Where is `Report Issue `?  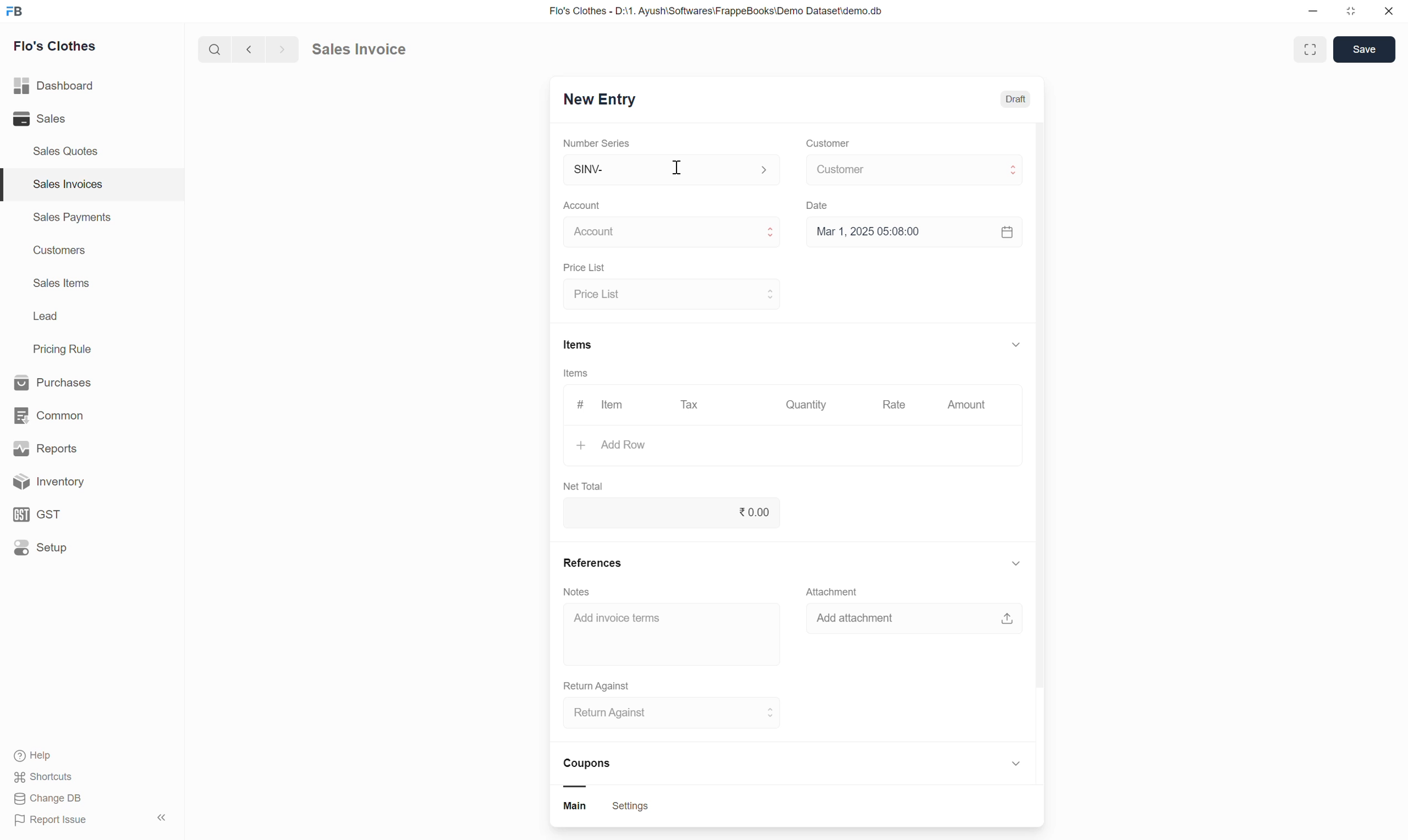 Report Issue  is located at coordinates (60, 822).